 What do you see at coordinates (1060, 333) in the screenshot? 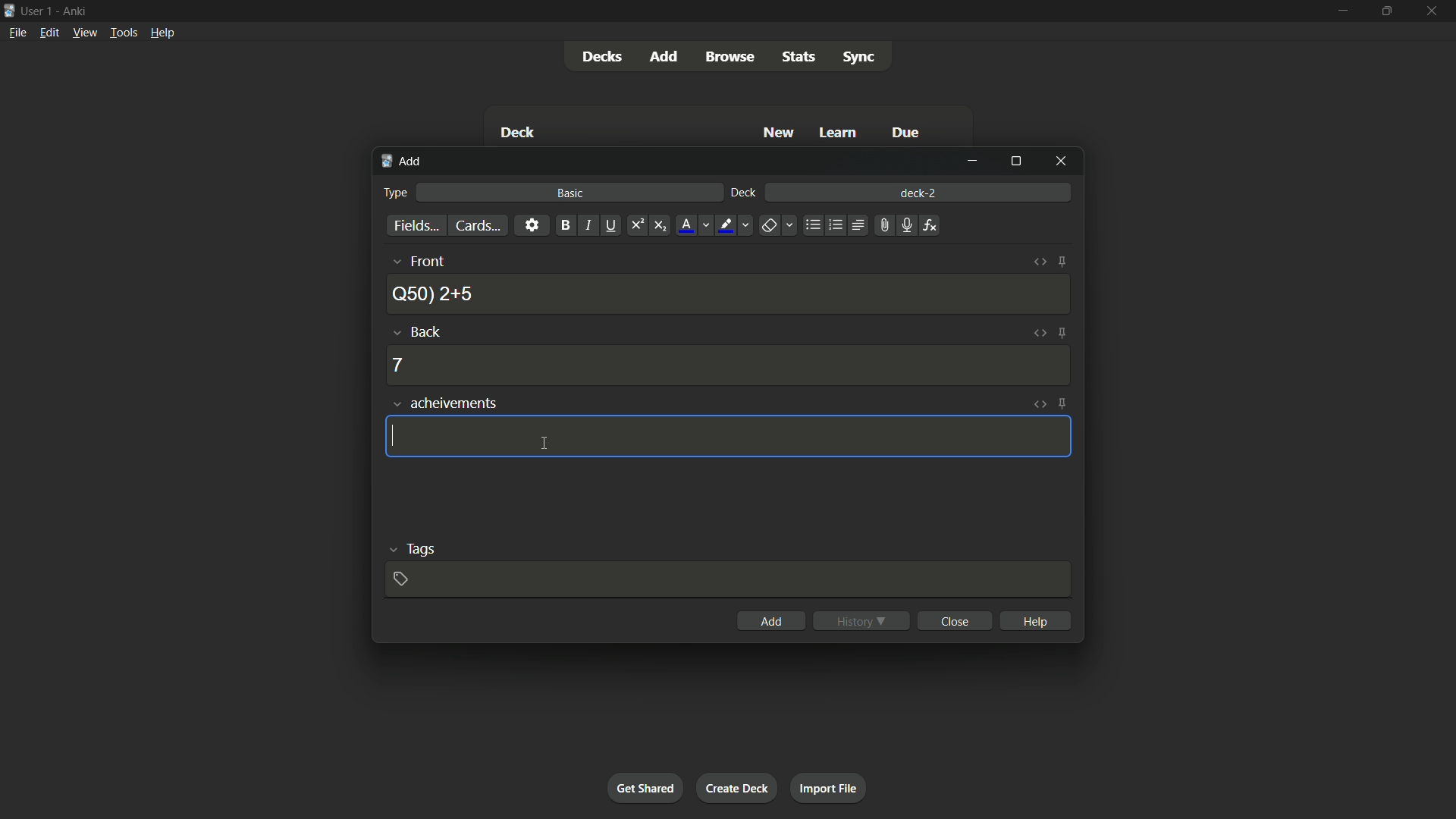
I see `toggle sticky` at bounding box center [1060, 333].